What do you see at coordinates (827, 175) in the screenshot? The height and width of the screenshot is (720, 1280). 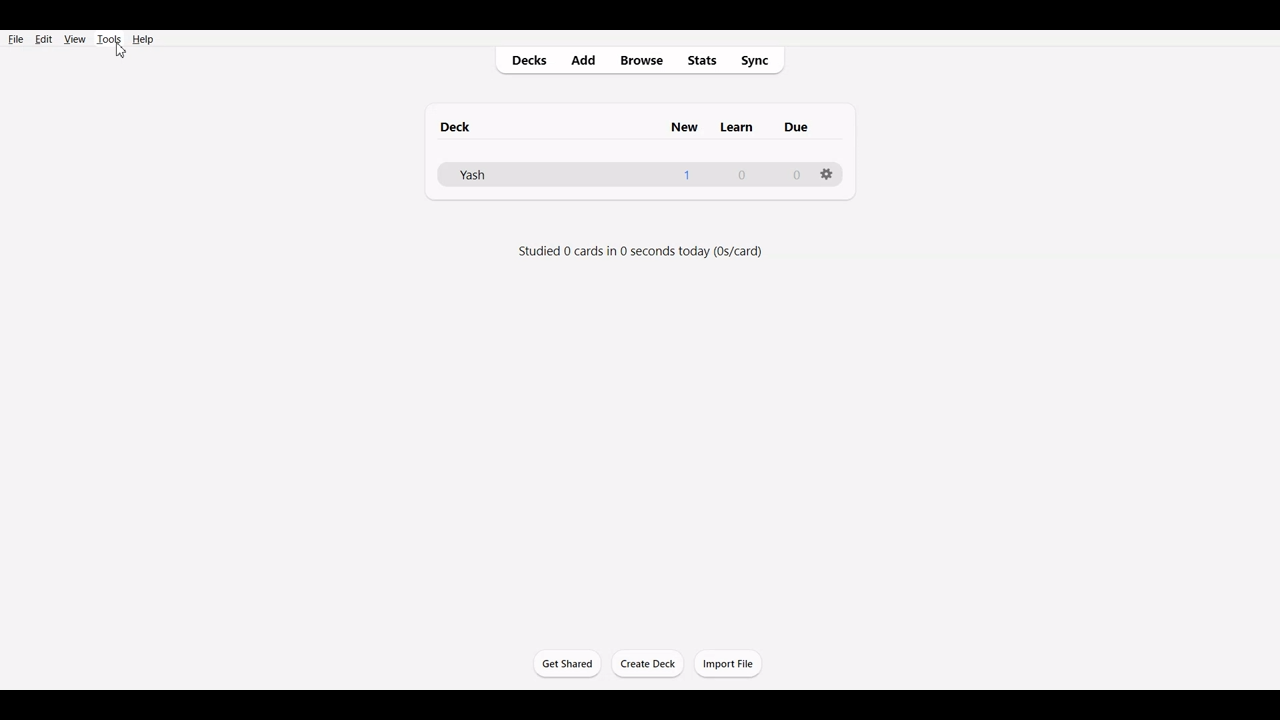 I see `Settings` at bounding box center [827, 175].